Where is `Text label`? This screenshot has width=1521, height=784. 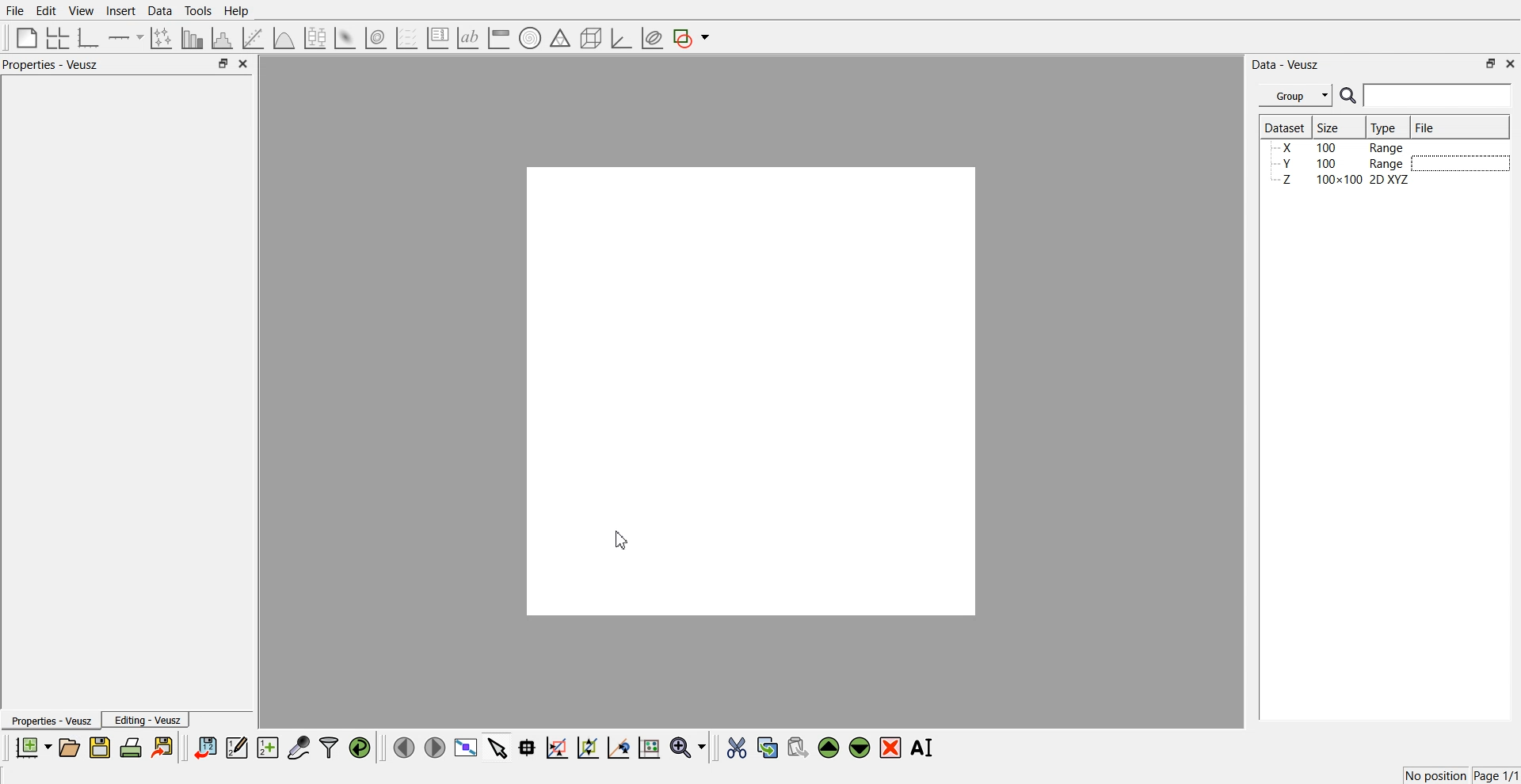
Text label is located at coordinates (468, 38).